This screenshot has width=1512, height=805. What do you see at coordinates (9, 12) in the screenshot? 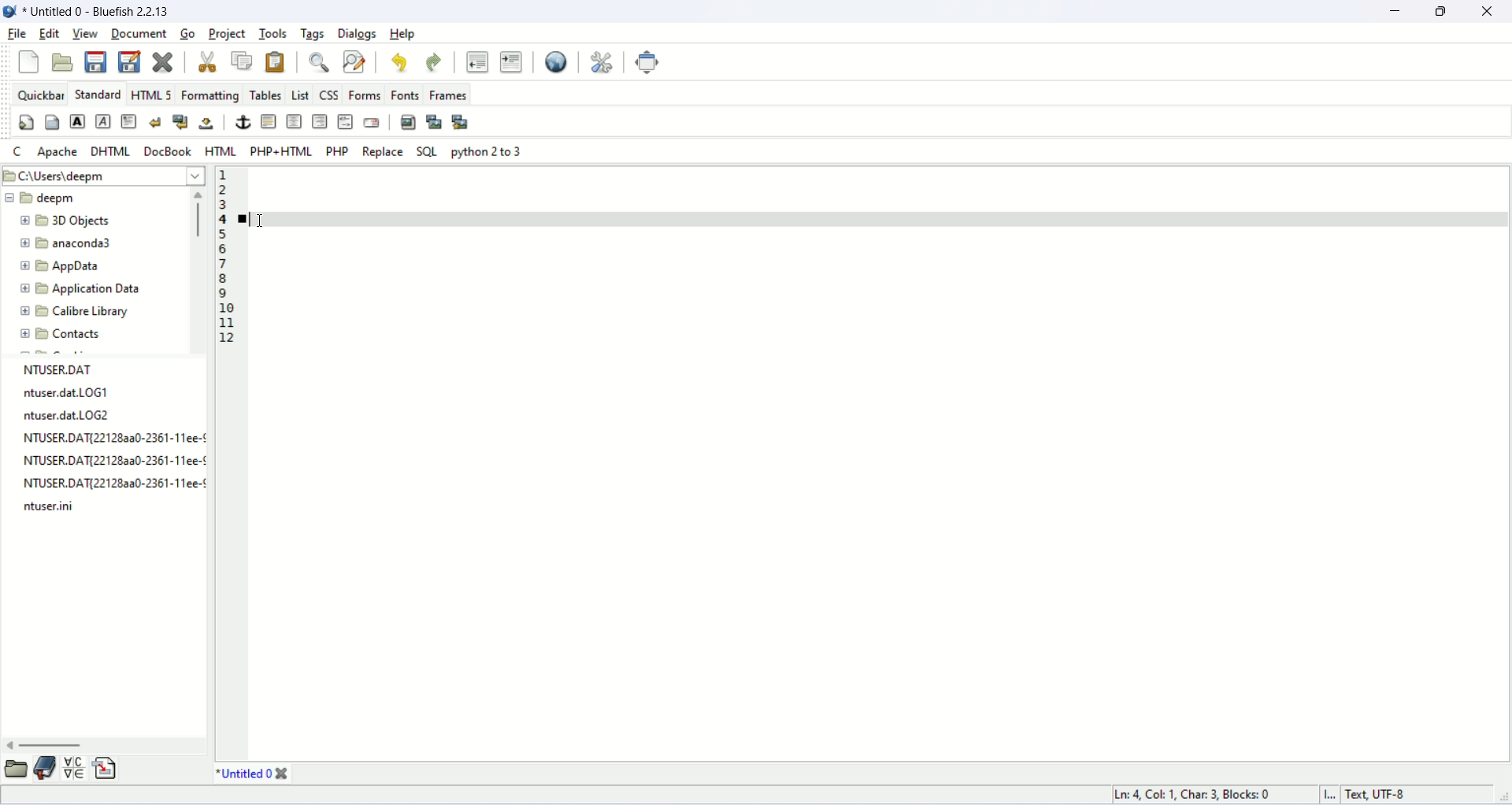
I see `logo` at bounding box center [9, 12].